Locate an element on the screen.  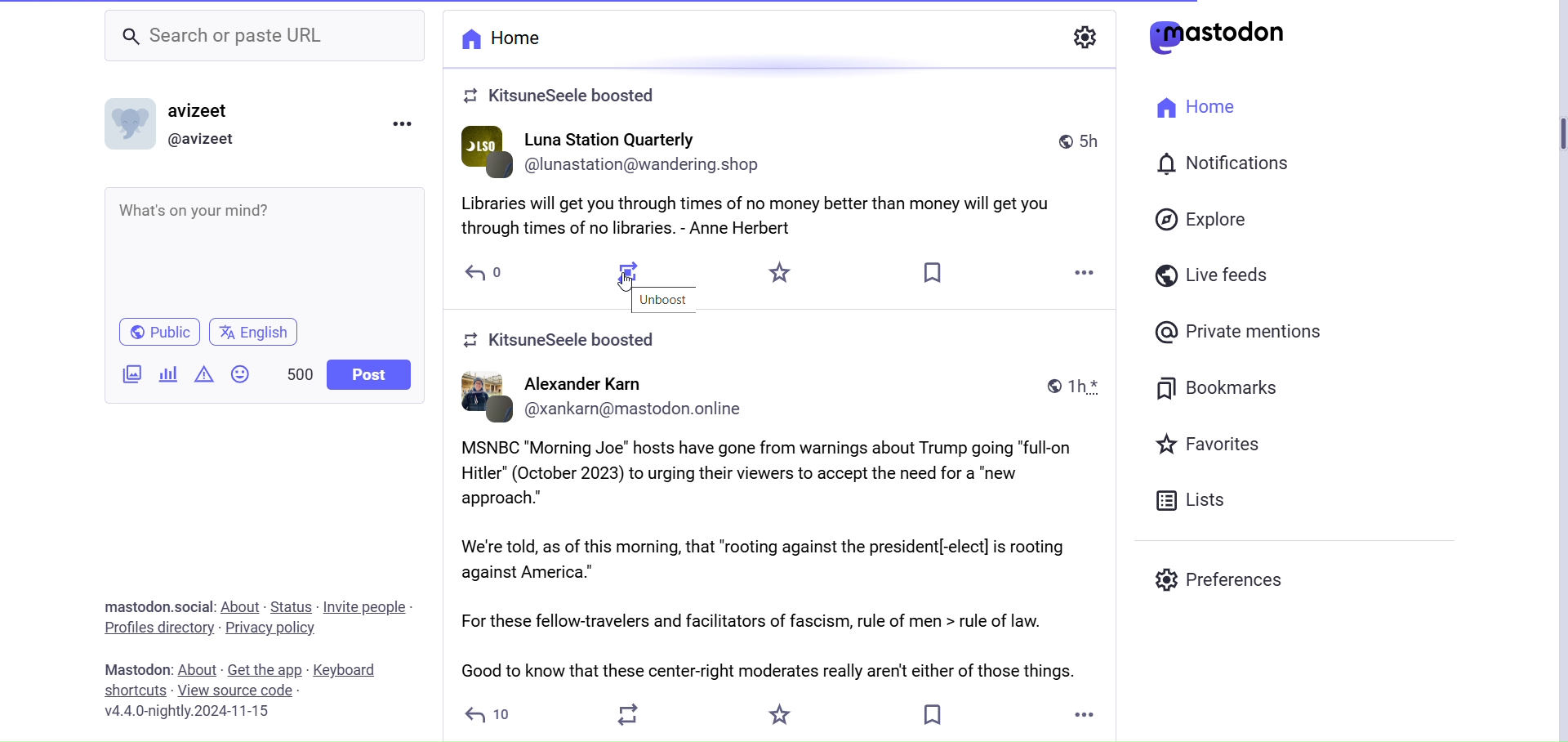
Social is located at coordinates (158, 606).